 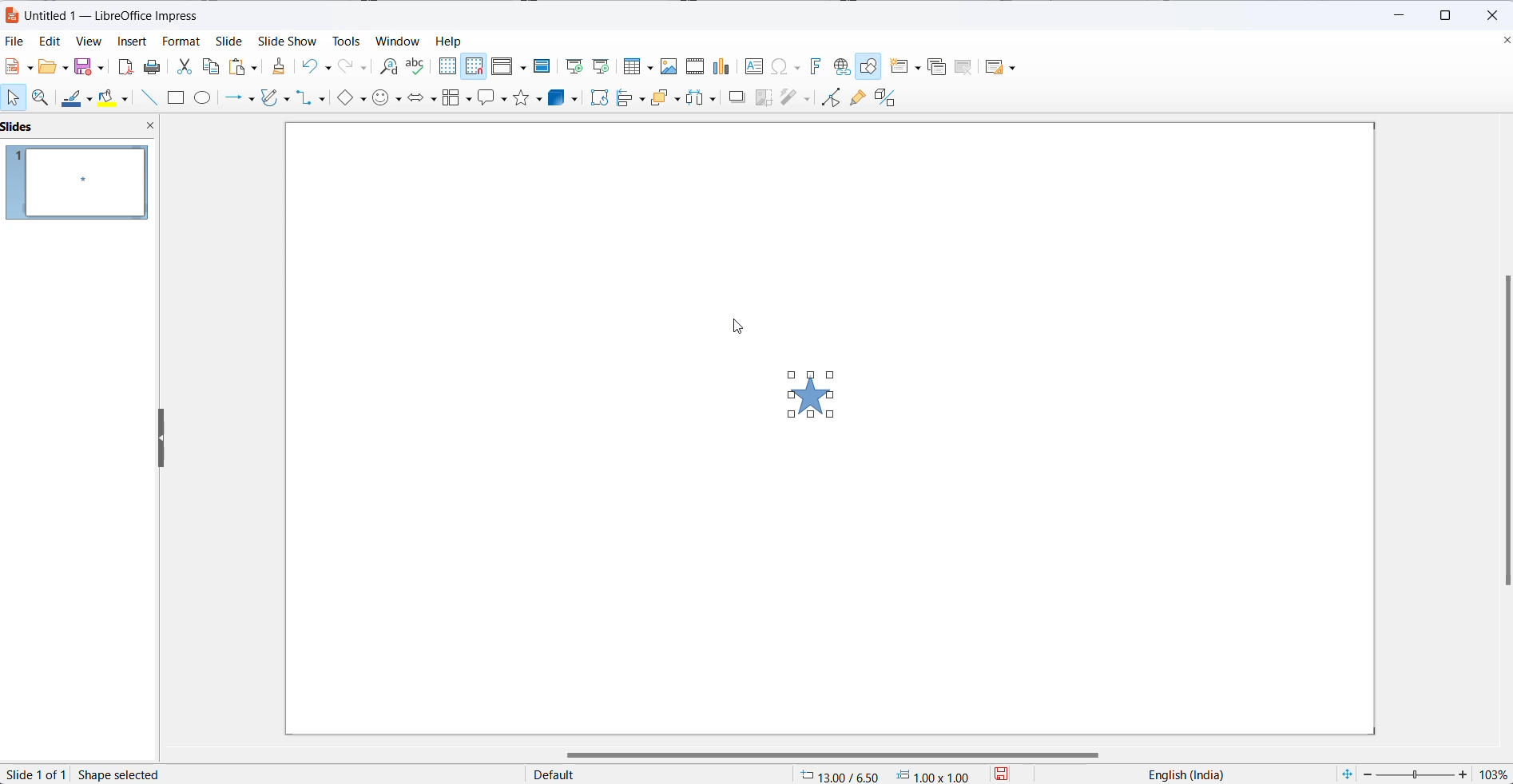 I want to click on toggle extrusion, so click(x=888, y=97).